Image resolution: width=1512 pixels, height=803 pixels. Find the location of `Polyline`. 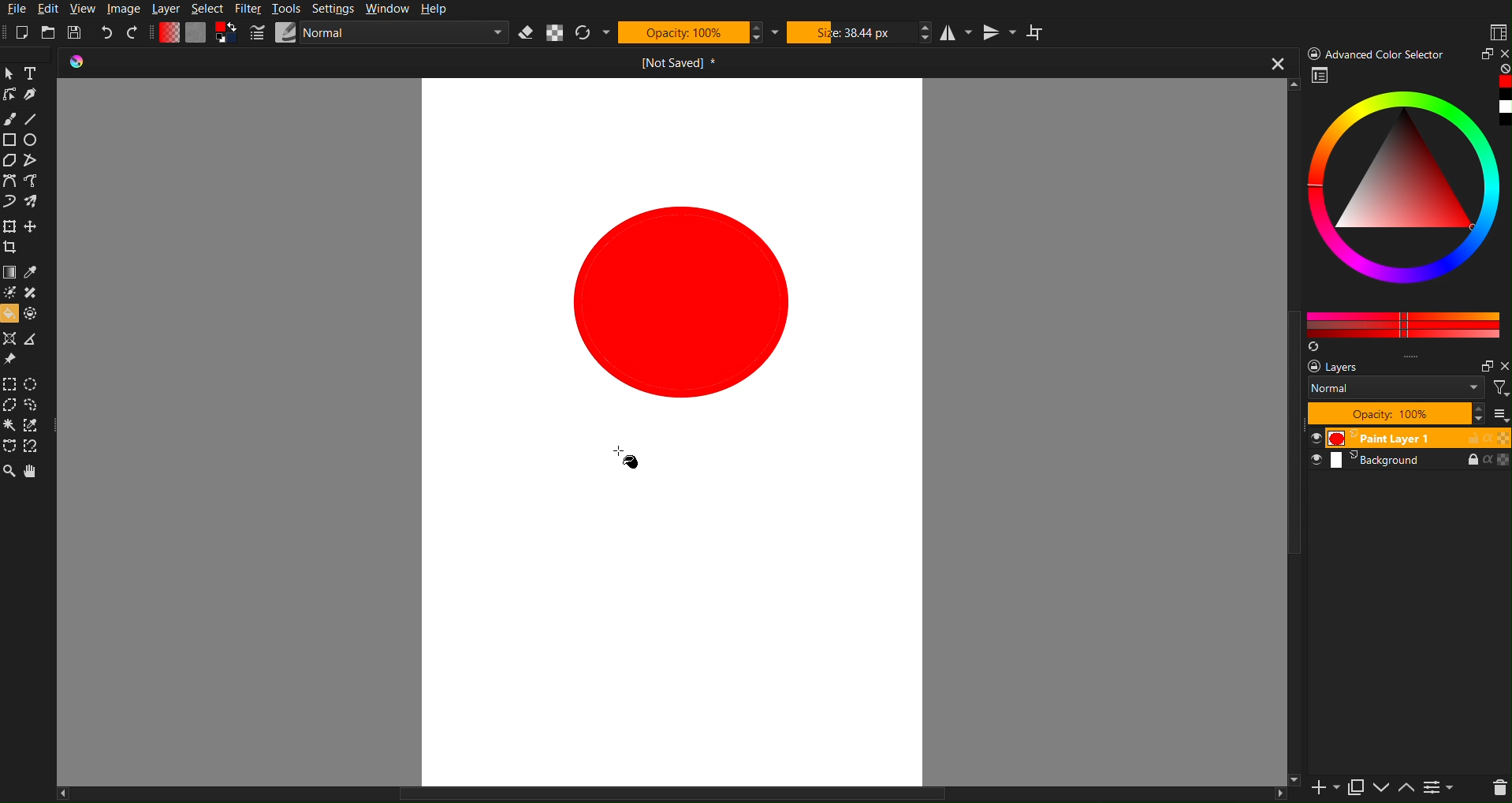

Polyline is located at coordinates (33, 161).